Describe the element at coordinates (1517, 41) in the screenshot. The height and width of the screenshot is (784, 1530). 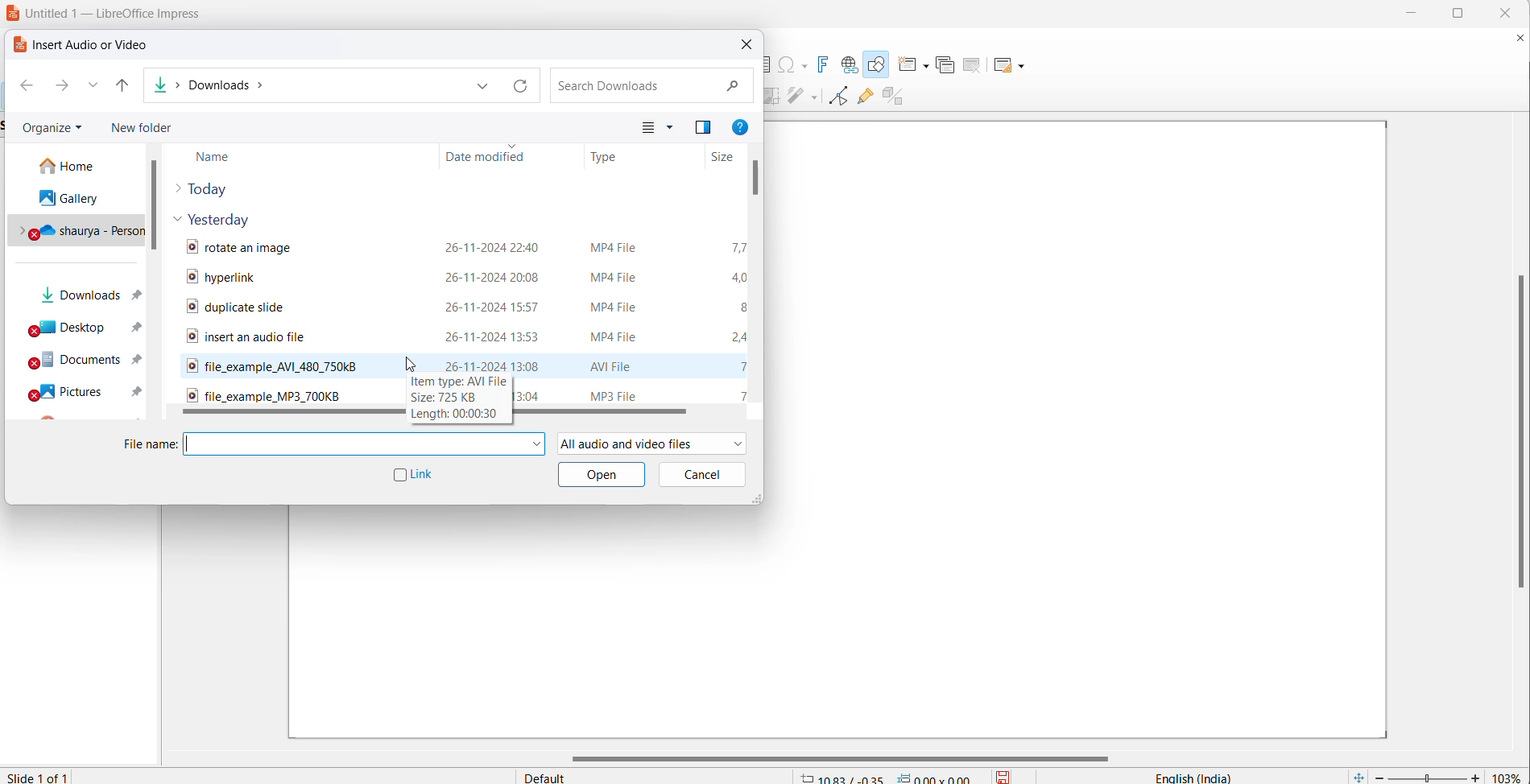
I see `close document` at that location.